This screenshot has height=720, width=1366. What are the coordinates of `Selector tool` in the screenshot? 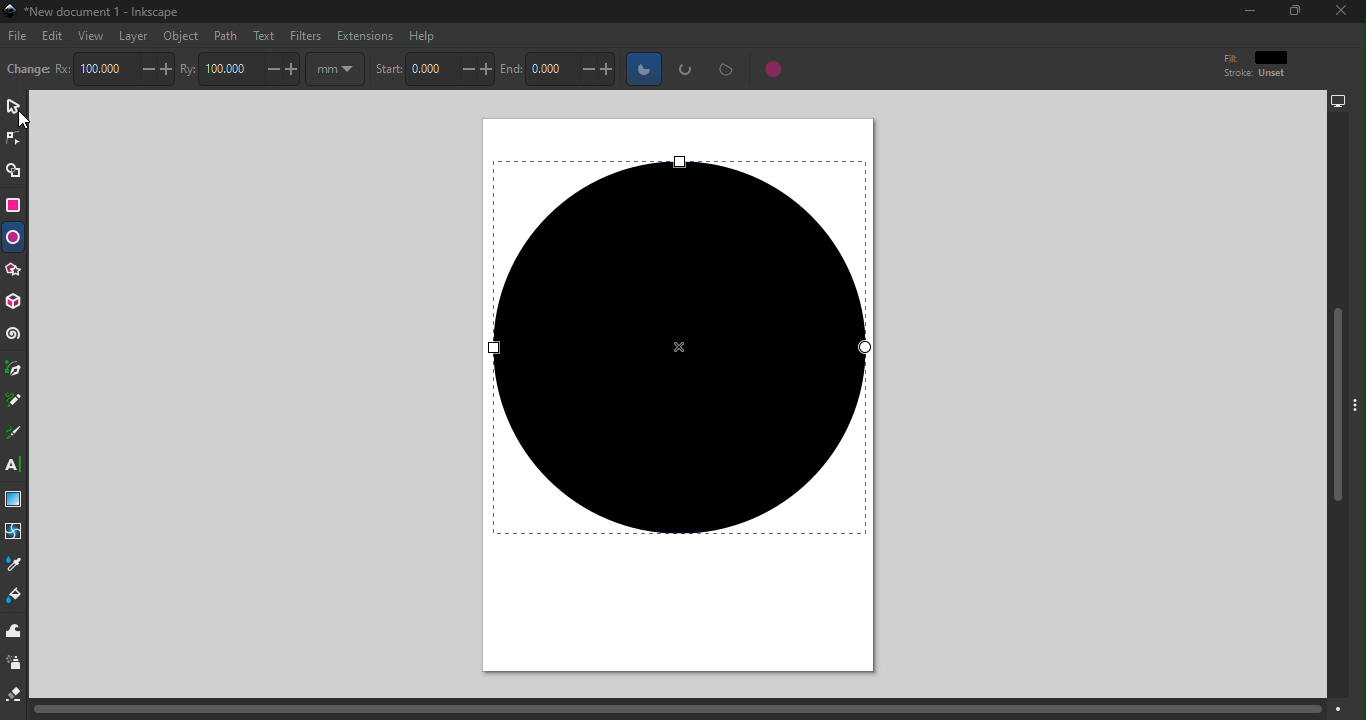 It's located at (11, 106).